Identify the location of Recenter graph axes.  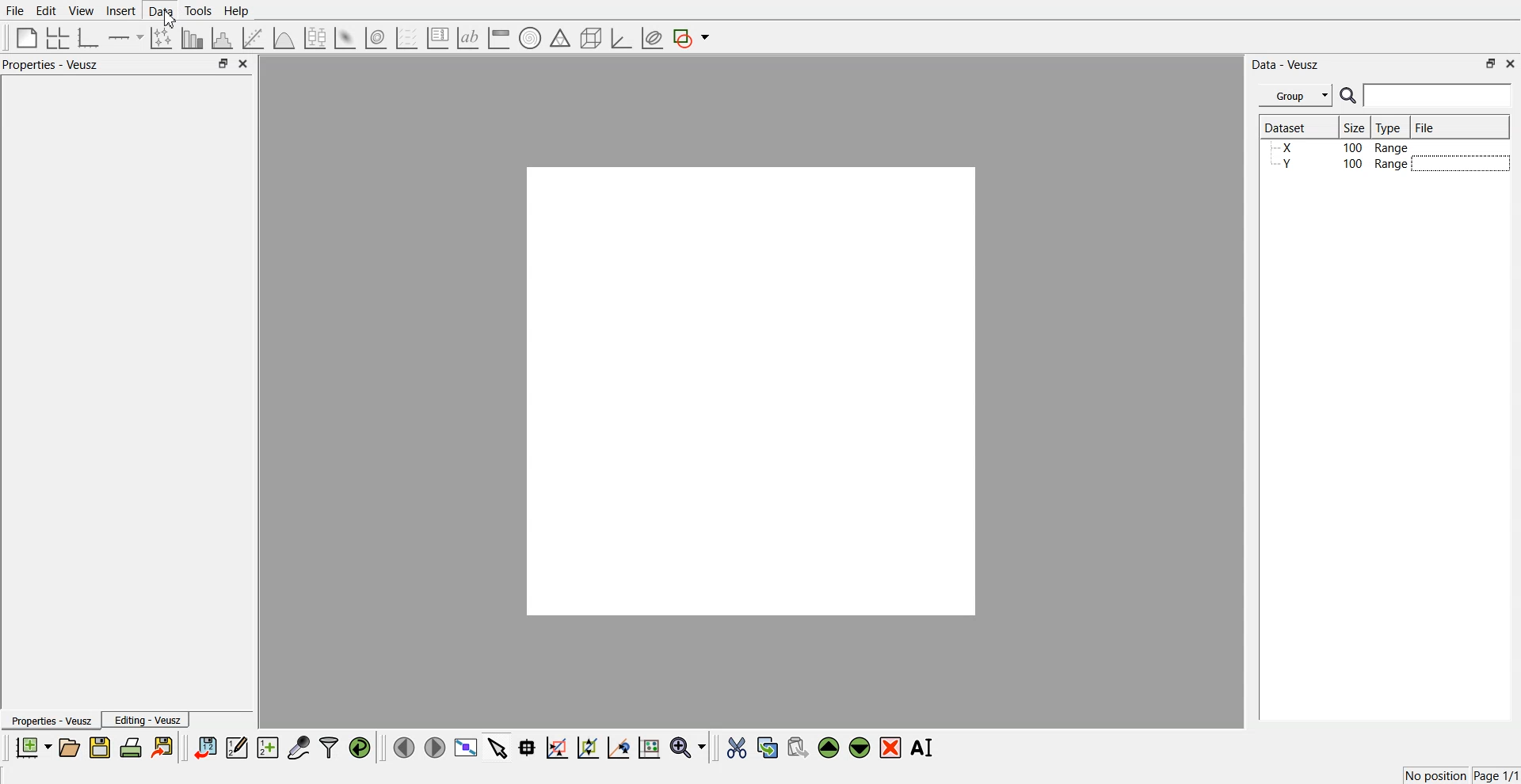
(619, 747).